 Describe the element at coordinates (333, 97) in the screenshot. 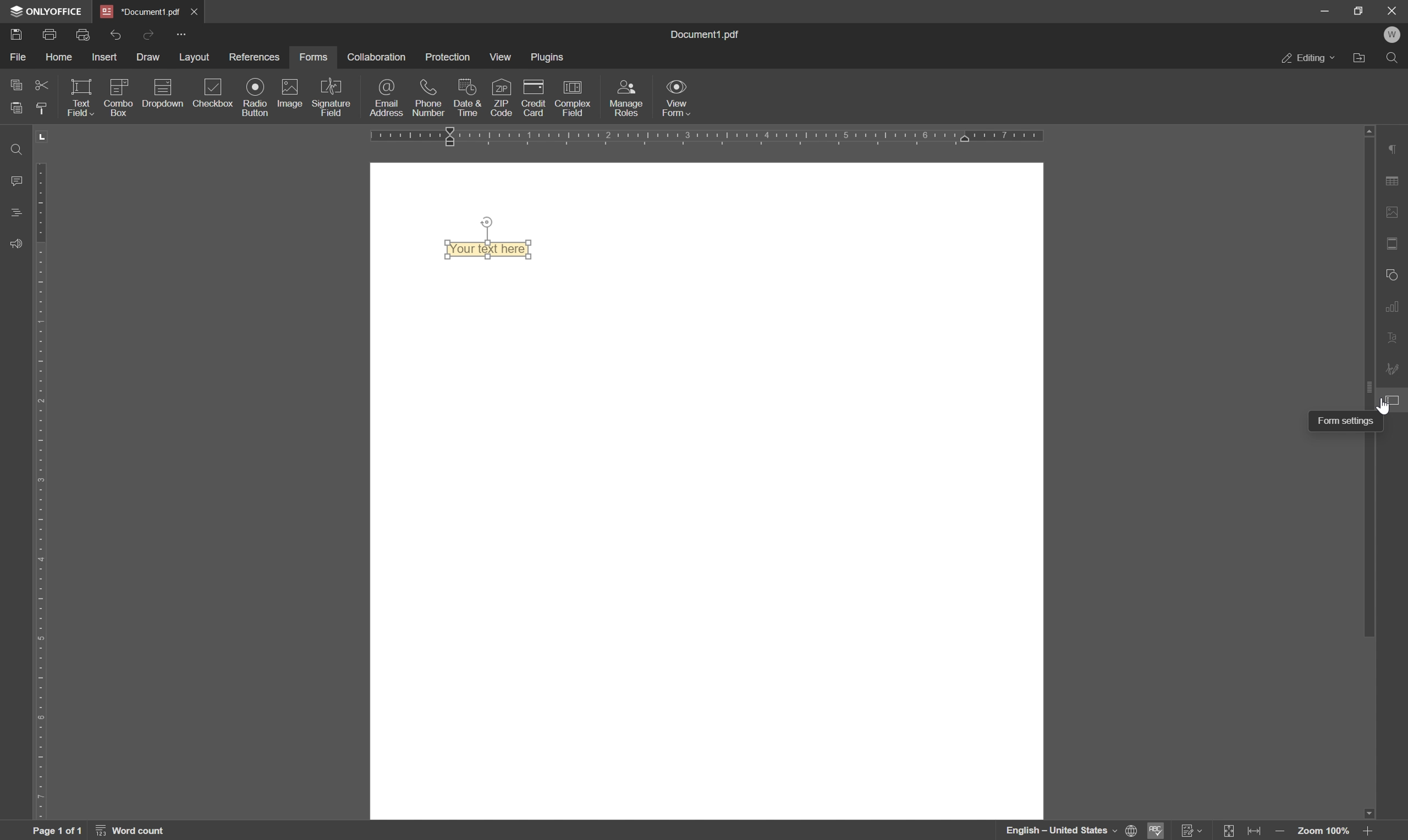

I see `signature field` at that location.